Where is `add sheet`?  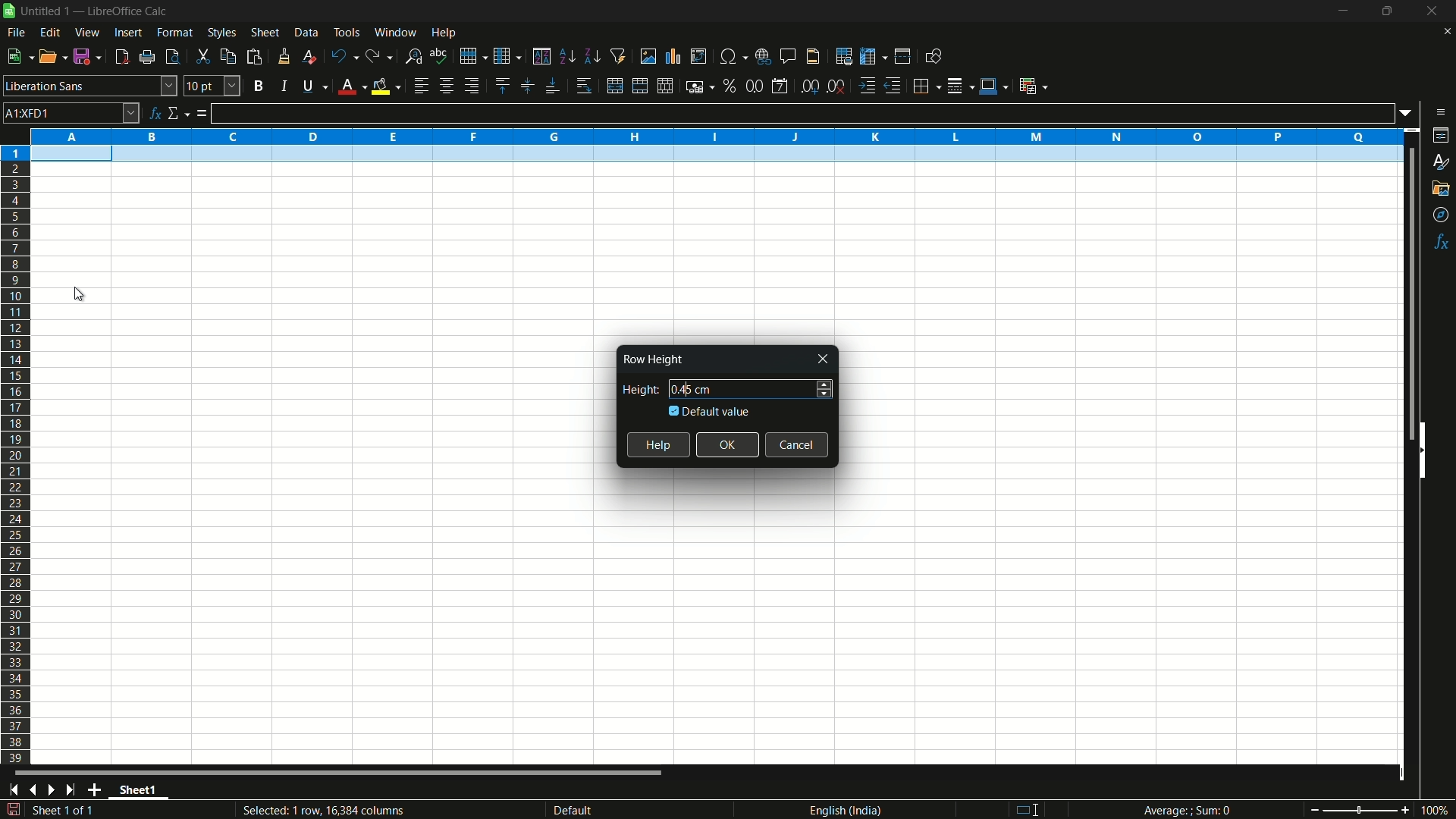 add sheet is located at coordinates (98, 789).